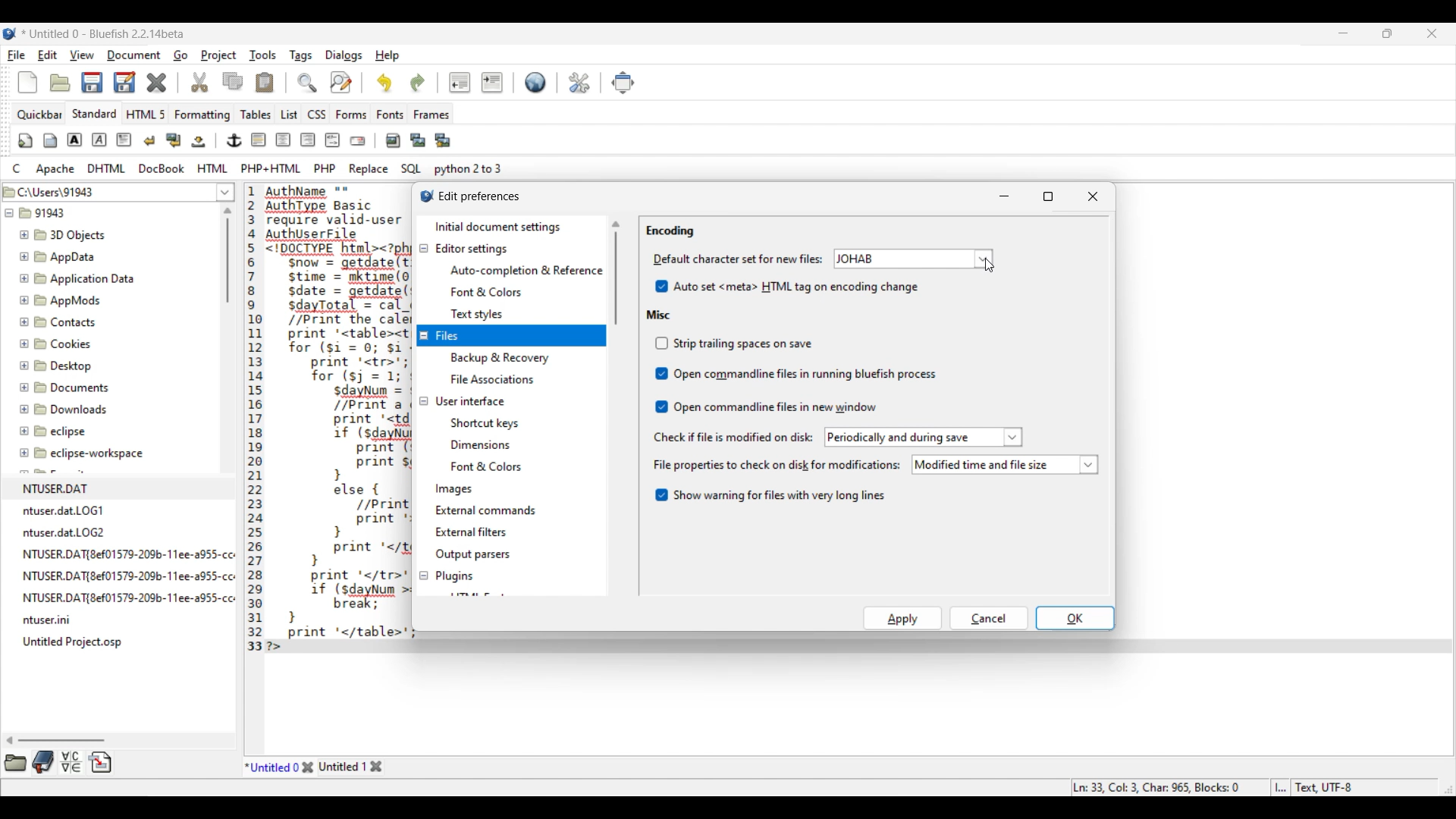 This screenshot has height=819, width=1456. Describe the element at coordinates (352, 115) in the screenshot. I see `Forms` at that location.